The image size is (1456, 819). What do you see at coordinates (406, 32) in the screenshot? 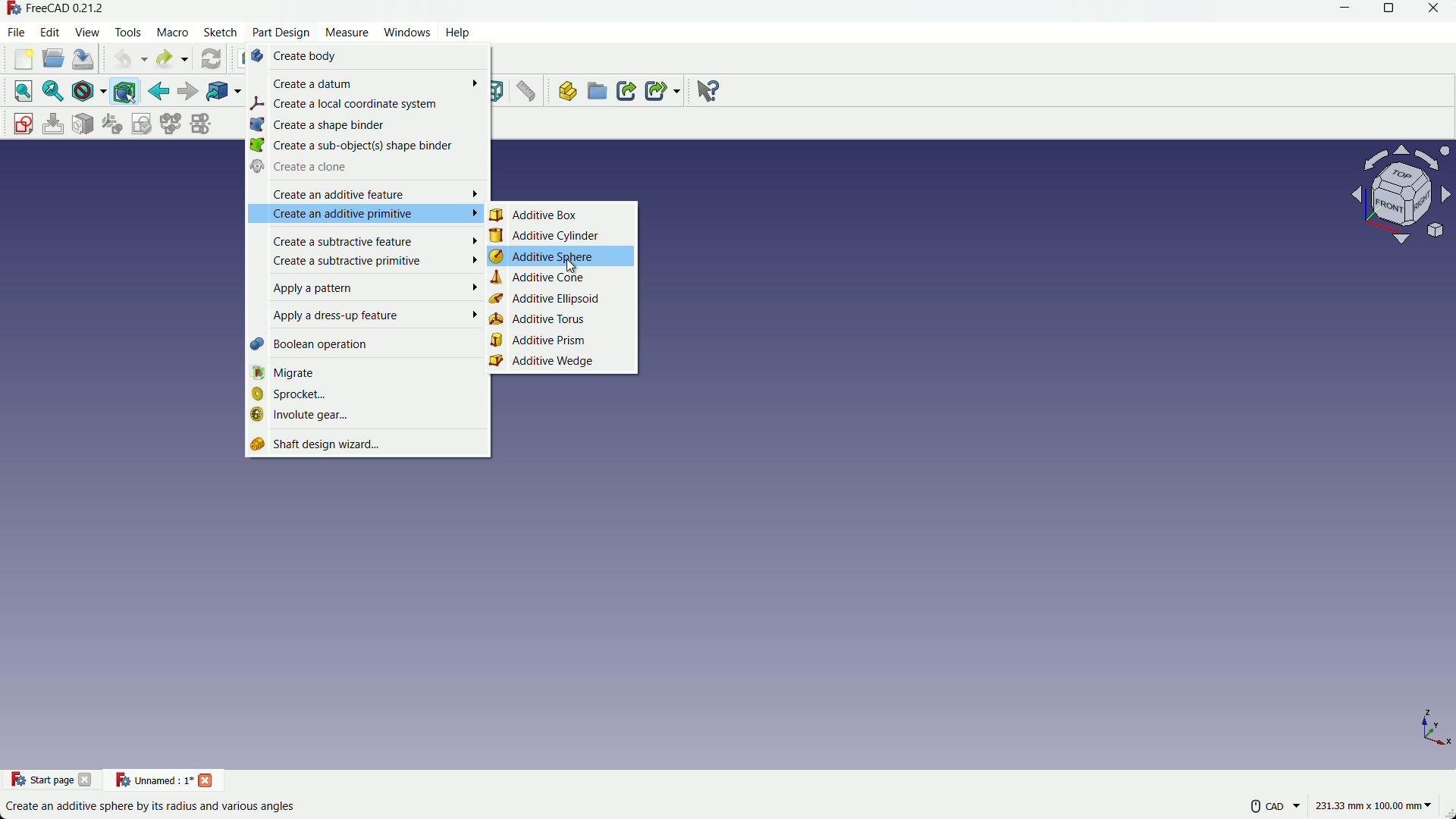
I see `windows menu` at bounding box center [406, 32].